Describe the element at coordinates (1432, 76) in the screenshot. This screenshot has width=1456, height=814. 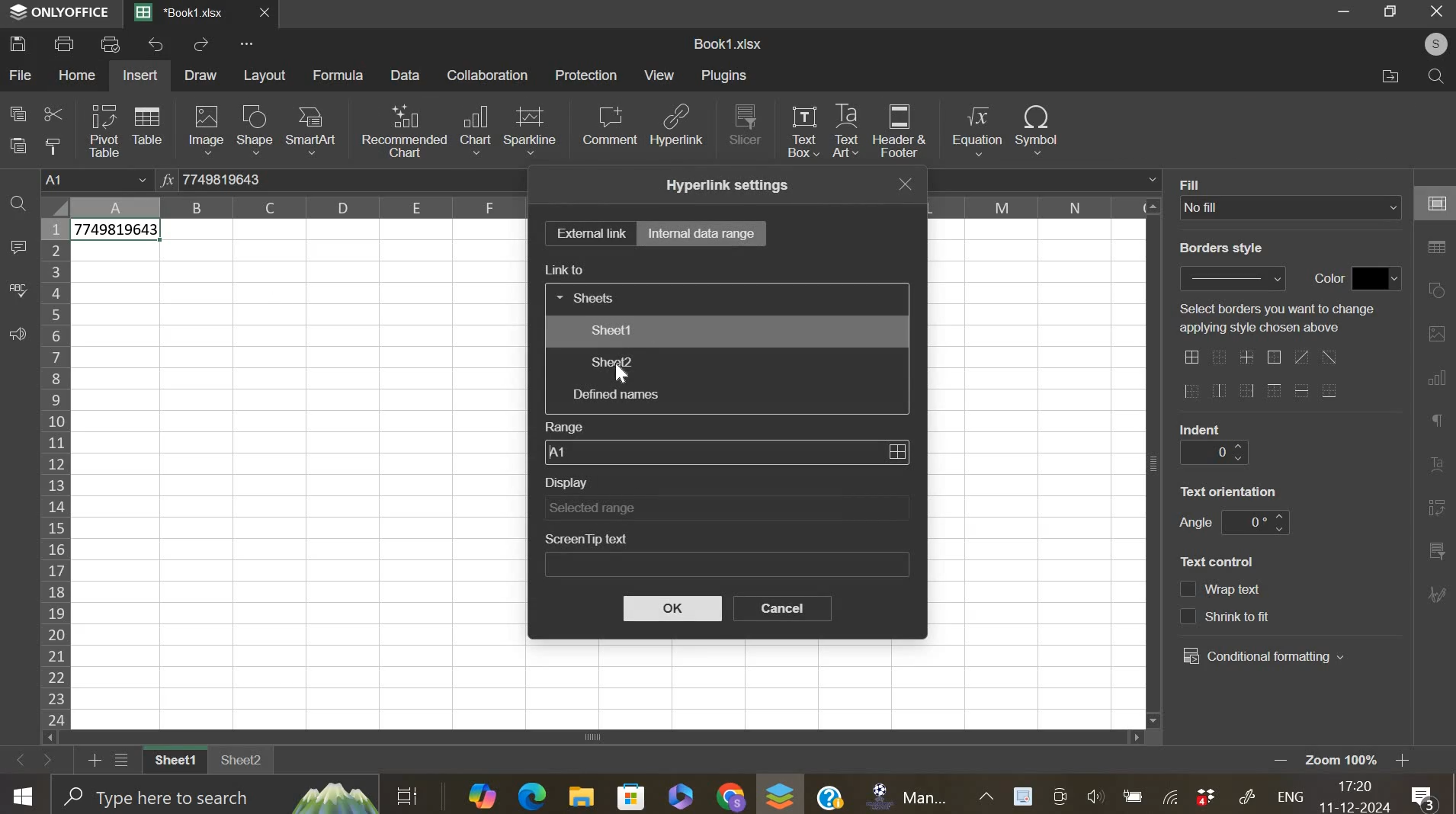
I see `find` at that location.